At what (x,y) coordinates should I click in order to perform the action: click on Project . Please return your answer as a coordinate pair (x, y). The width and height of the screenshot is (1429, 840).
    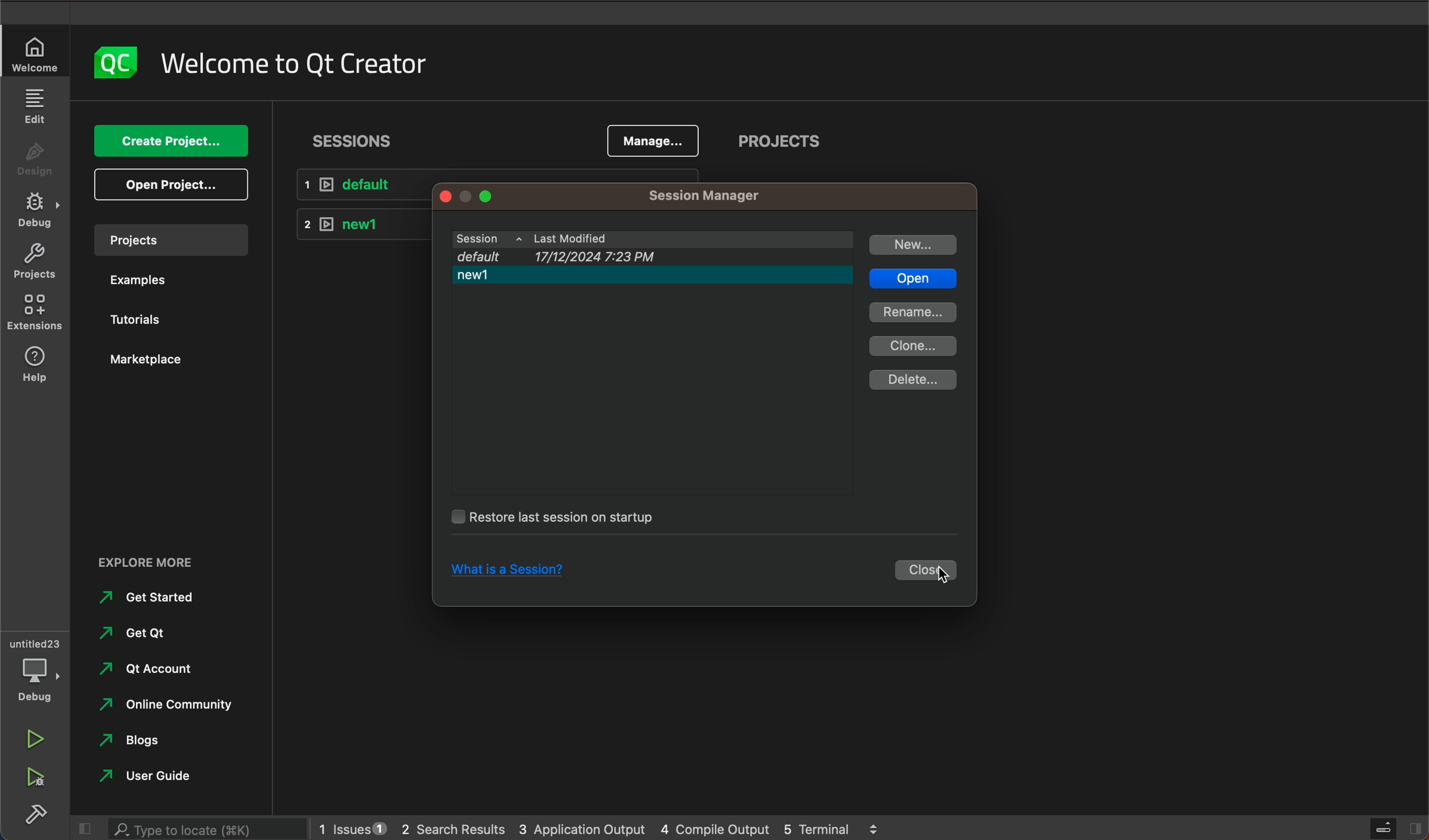
    Looking at the image, I should click on (34, 264).